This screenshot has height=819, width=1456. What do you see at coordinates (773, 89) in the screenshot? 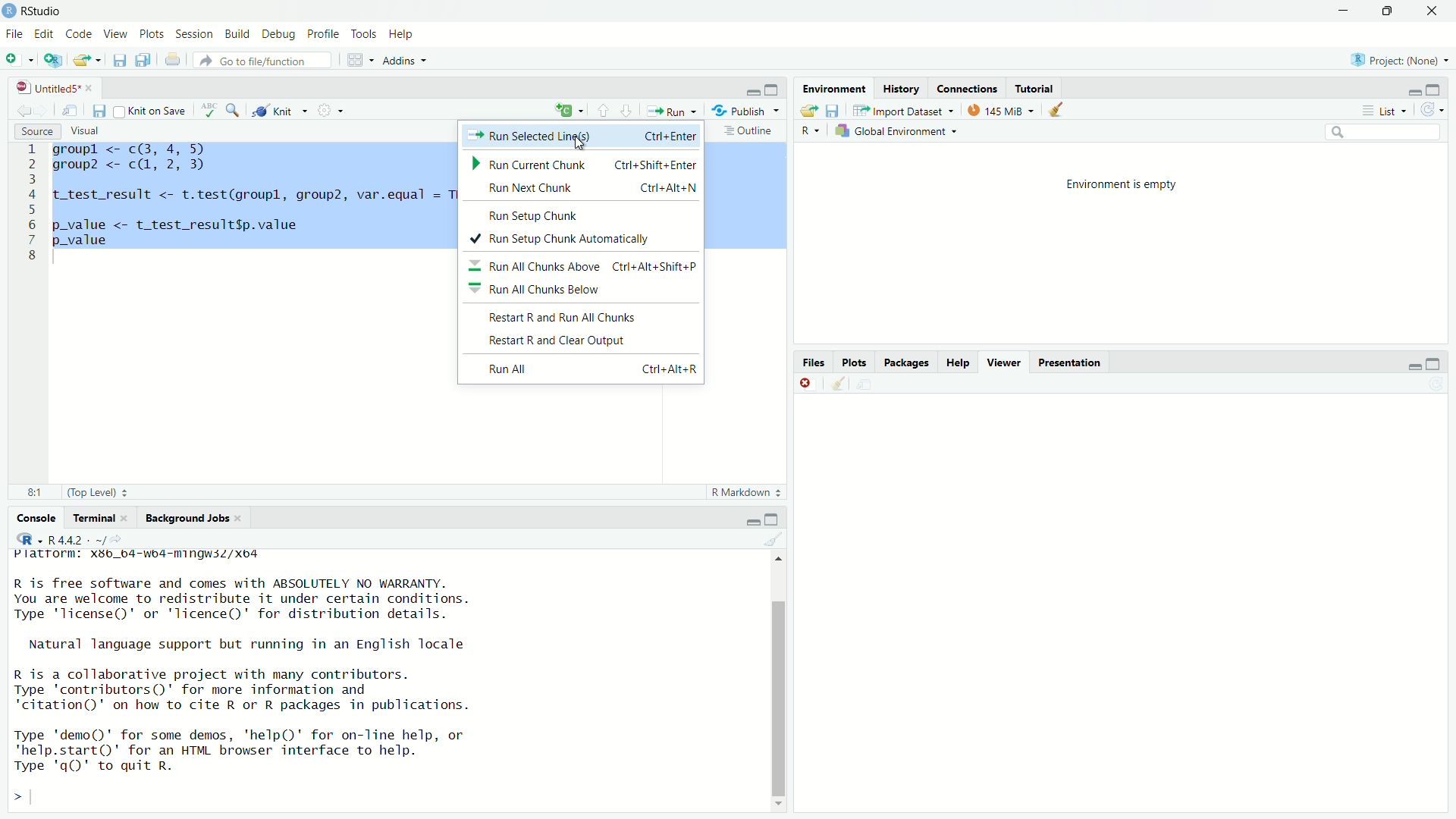
I see `maximise` at bounding box center [773, 89].